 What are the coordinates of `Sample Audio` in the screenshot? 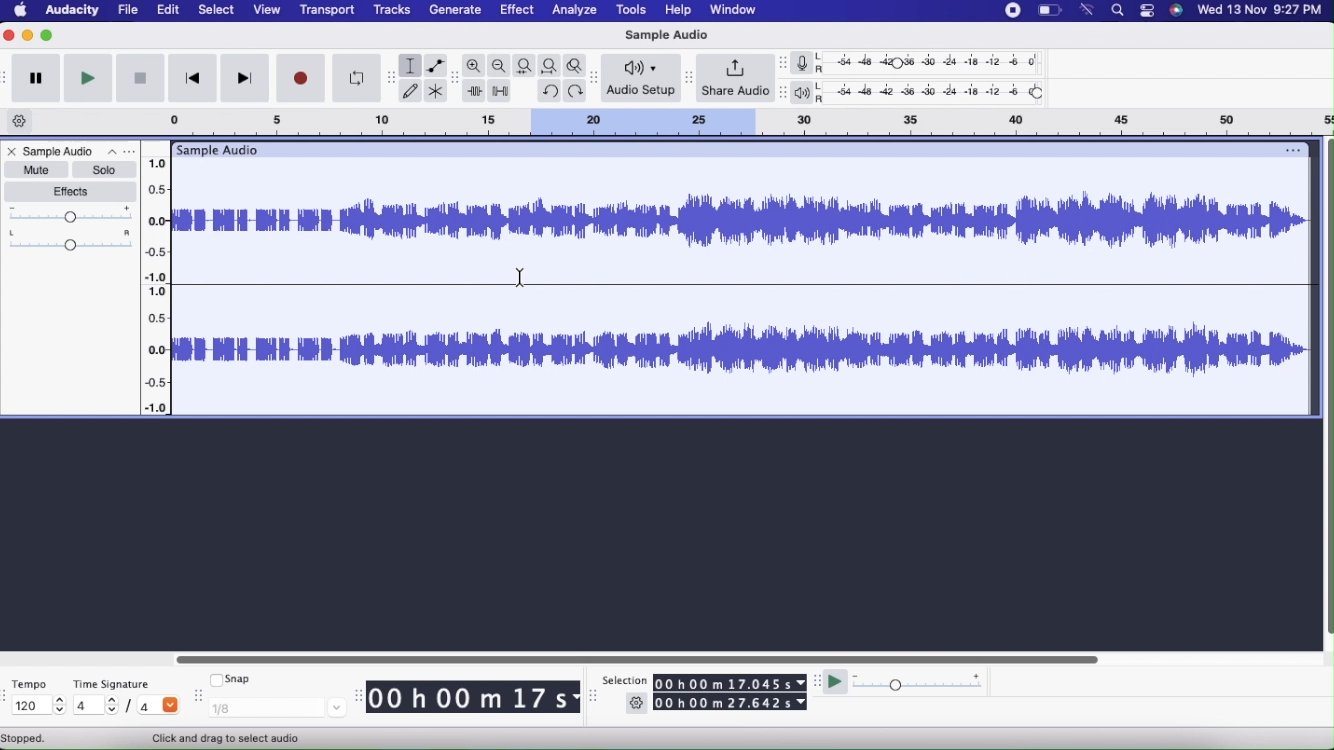 It's located at (664, 35).